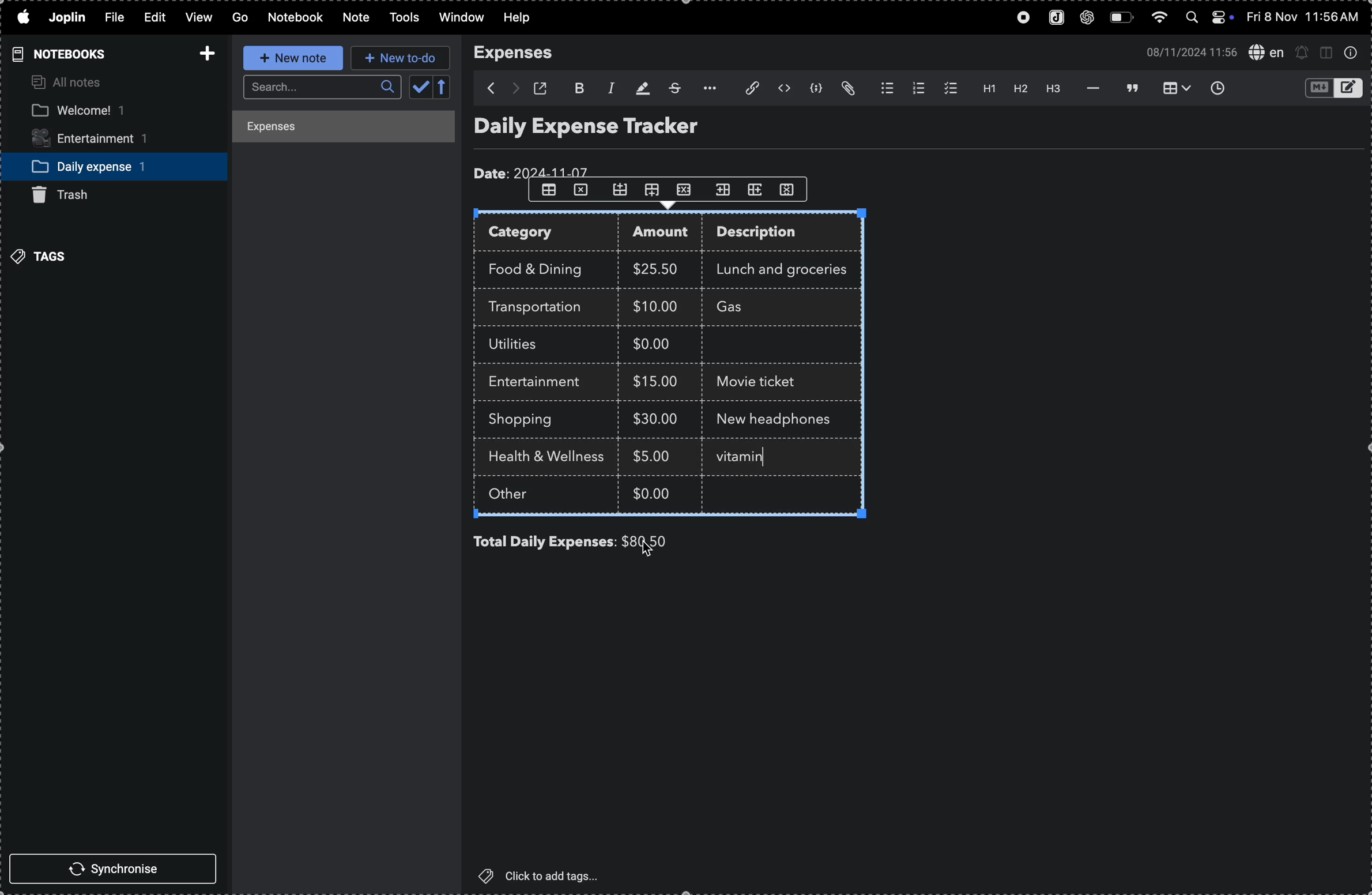  What do you see at coordinates (1054, 90) in the screenshot?
I see `heading 3` at bounding box center [1054, 90].